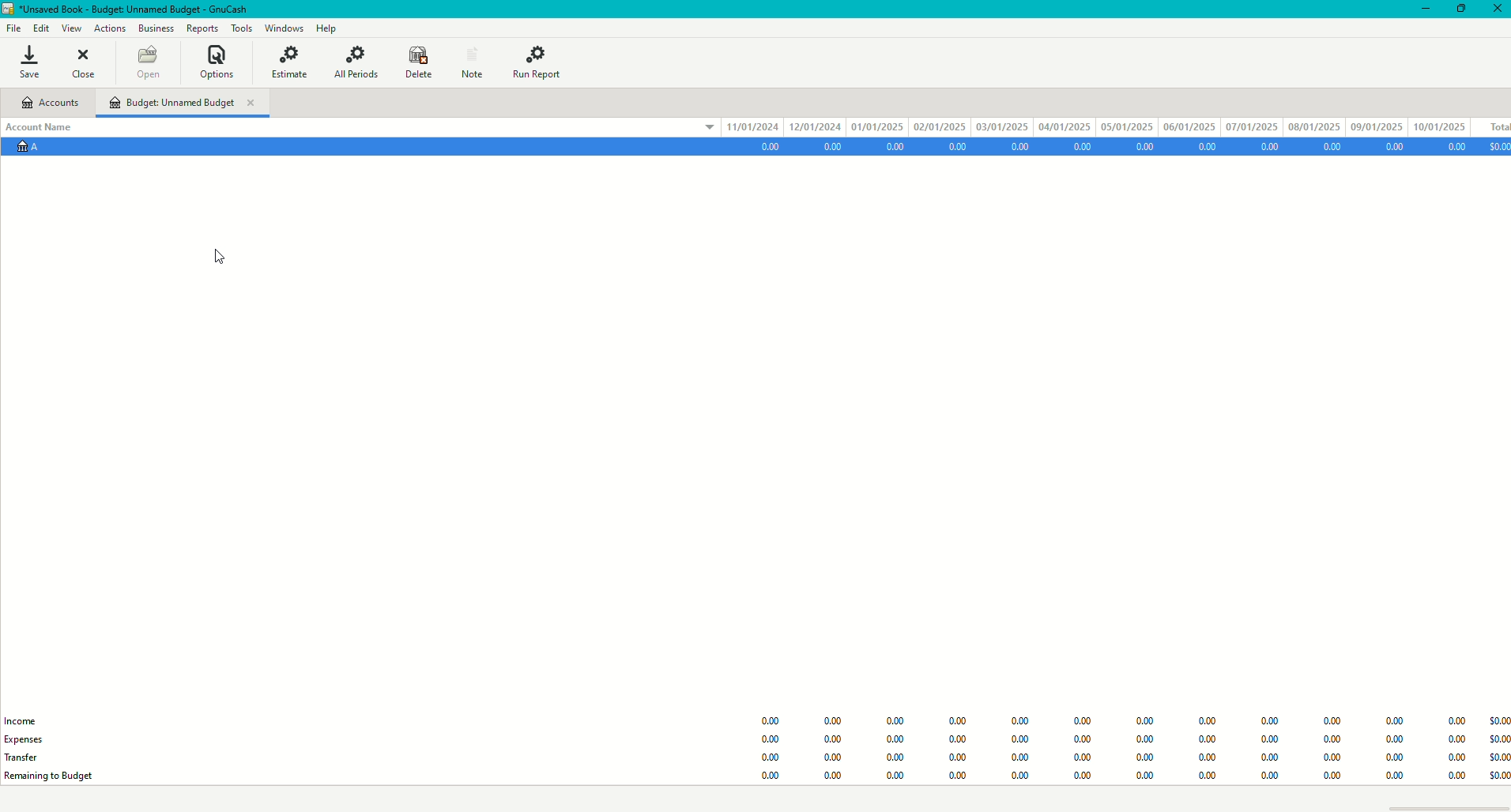 The width and height of the screenshot is (1511, 812). What do you see at coordinates (542, 59) in the screenshot?
I see `Run Report` at bounding box center [542, 59].